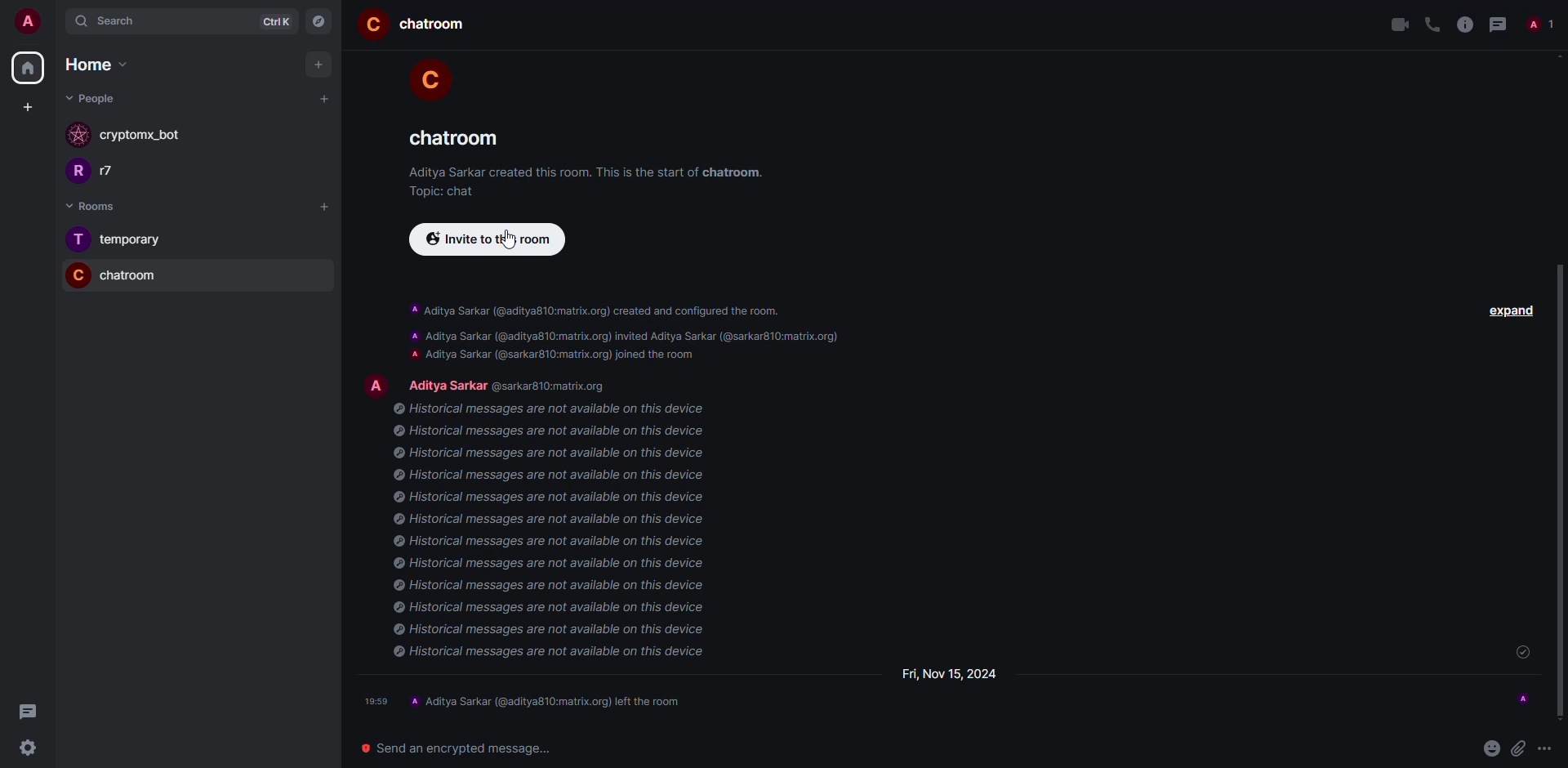  What do you see at coordinates (23, 749) in the screenshot?
I see `settings` at bounding box center [23, 749].